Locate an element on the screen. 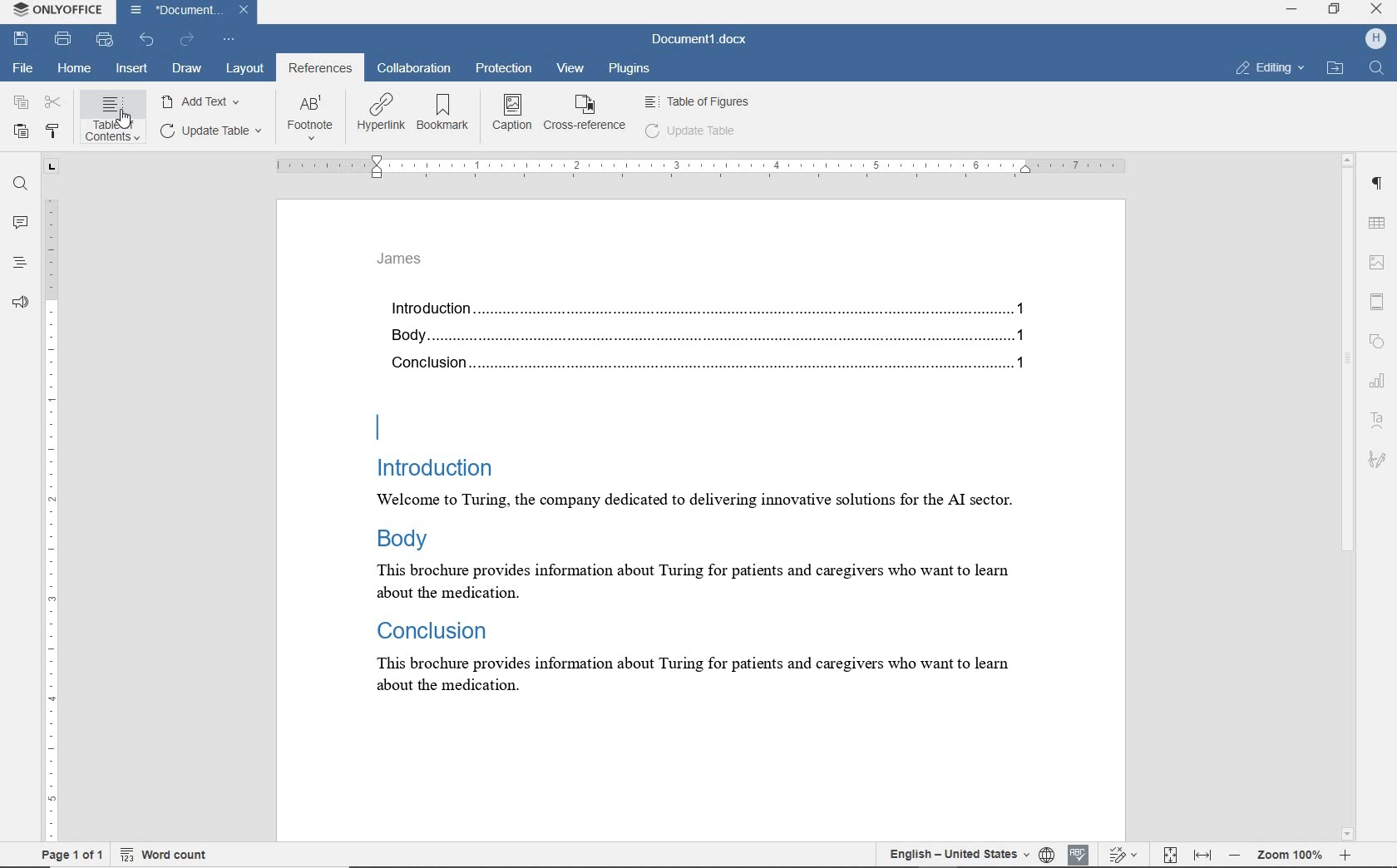 The image size is (1397, 868). copy is located at coordinates (19, 103).